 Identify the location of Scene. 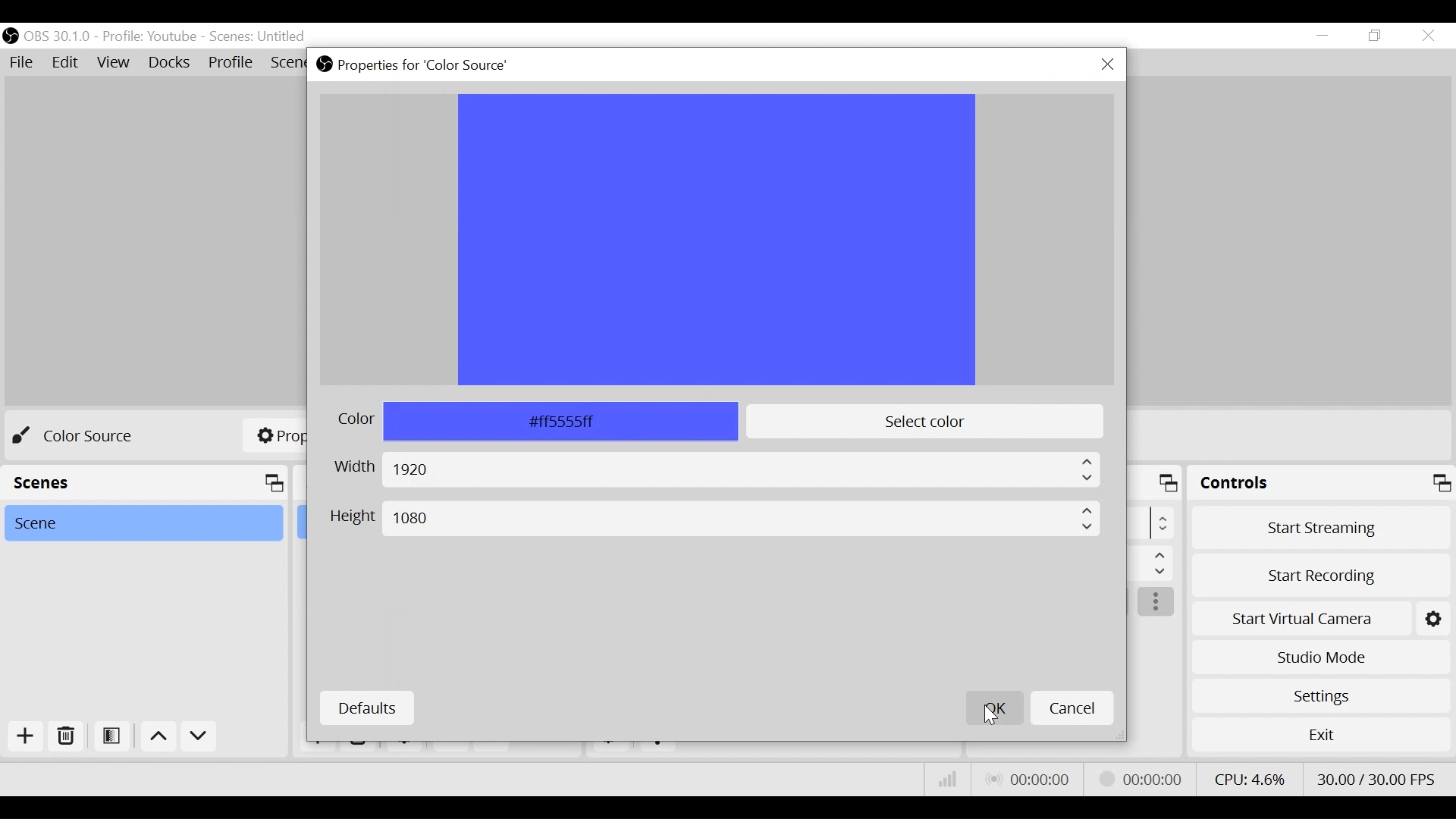
(142, 523).